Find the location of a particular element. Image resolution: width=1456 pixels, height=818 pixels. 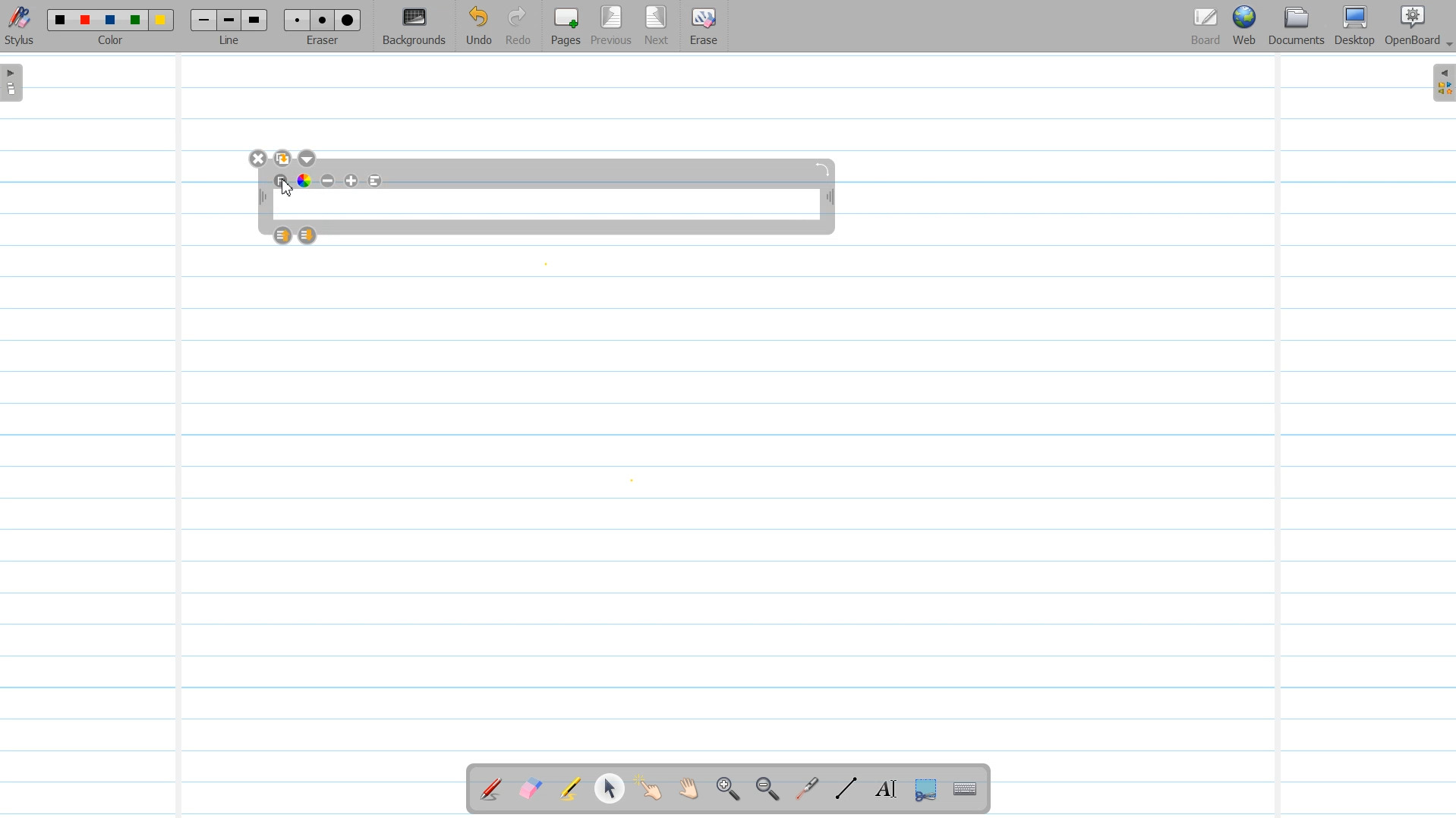

Zoom In is located at coordinates (727, 790).